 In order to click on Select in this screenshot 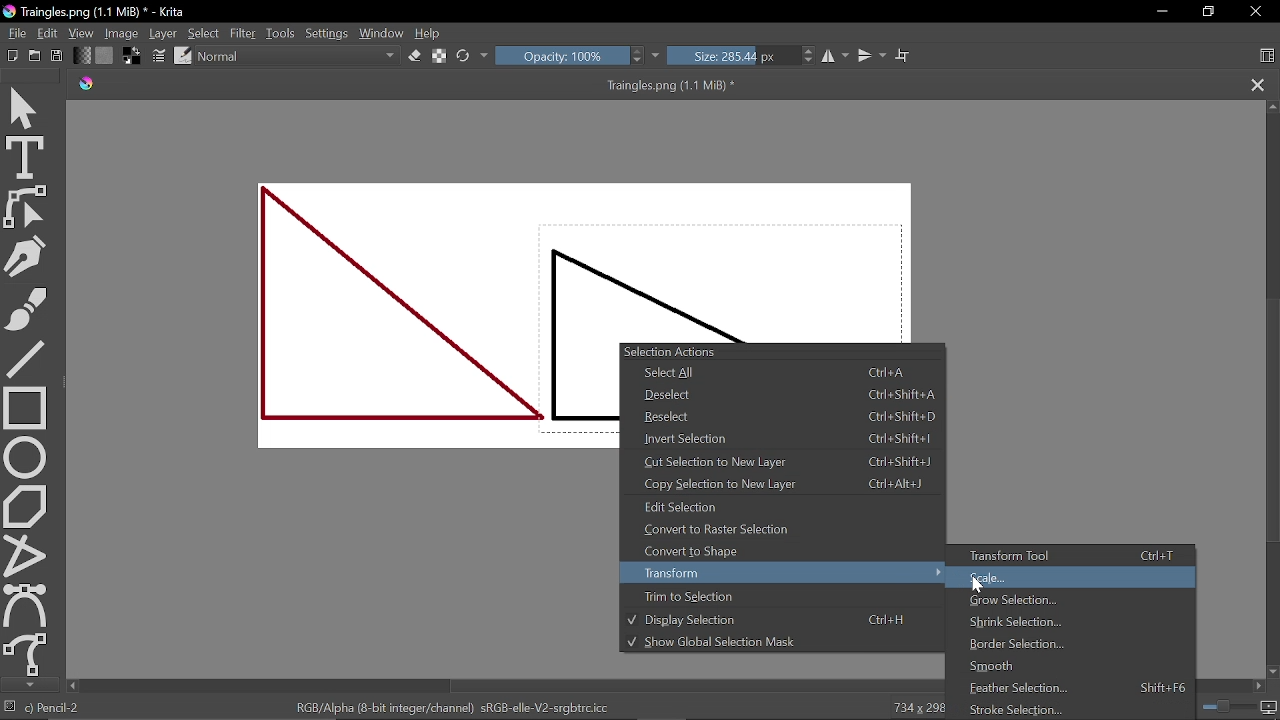, I will do `click(206, 33)`.